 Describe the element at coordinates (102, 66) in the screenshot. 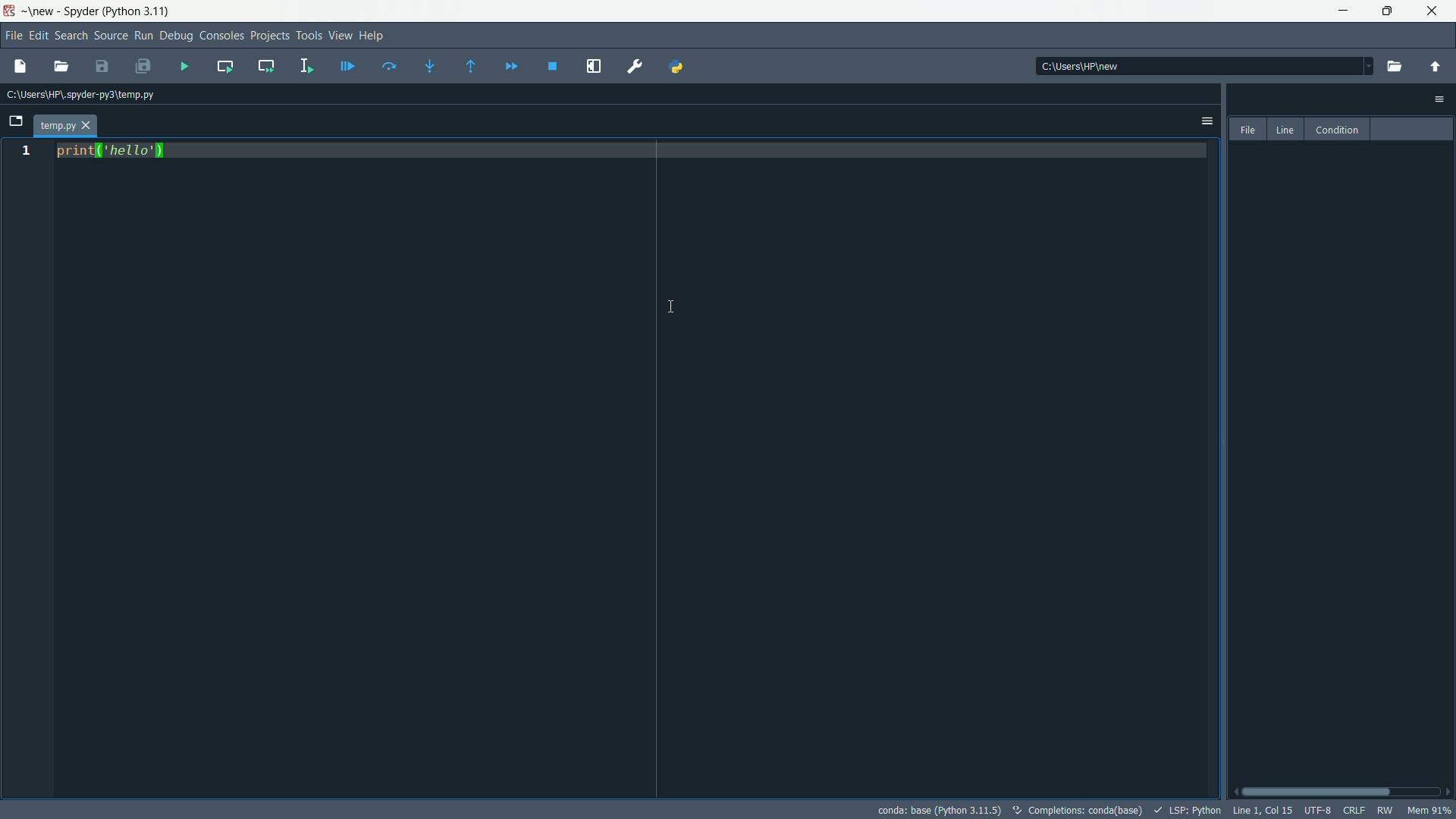

I see `save file` at that location.